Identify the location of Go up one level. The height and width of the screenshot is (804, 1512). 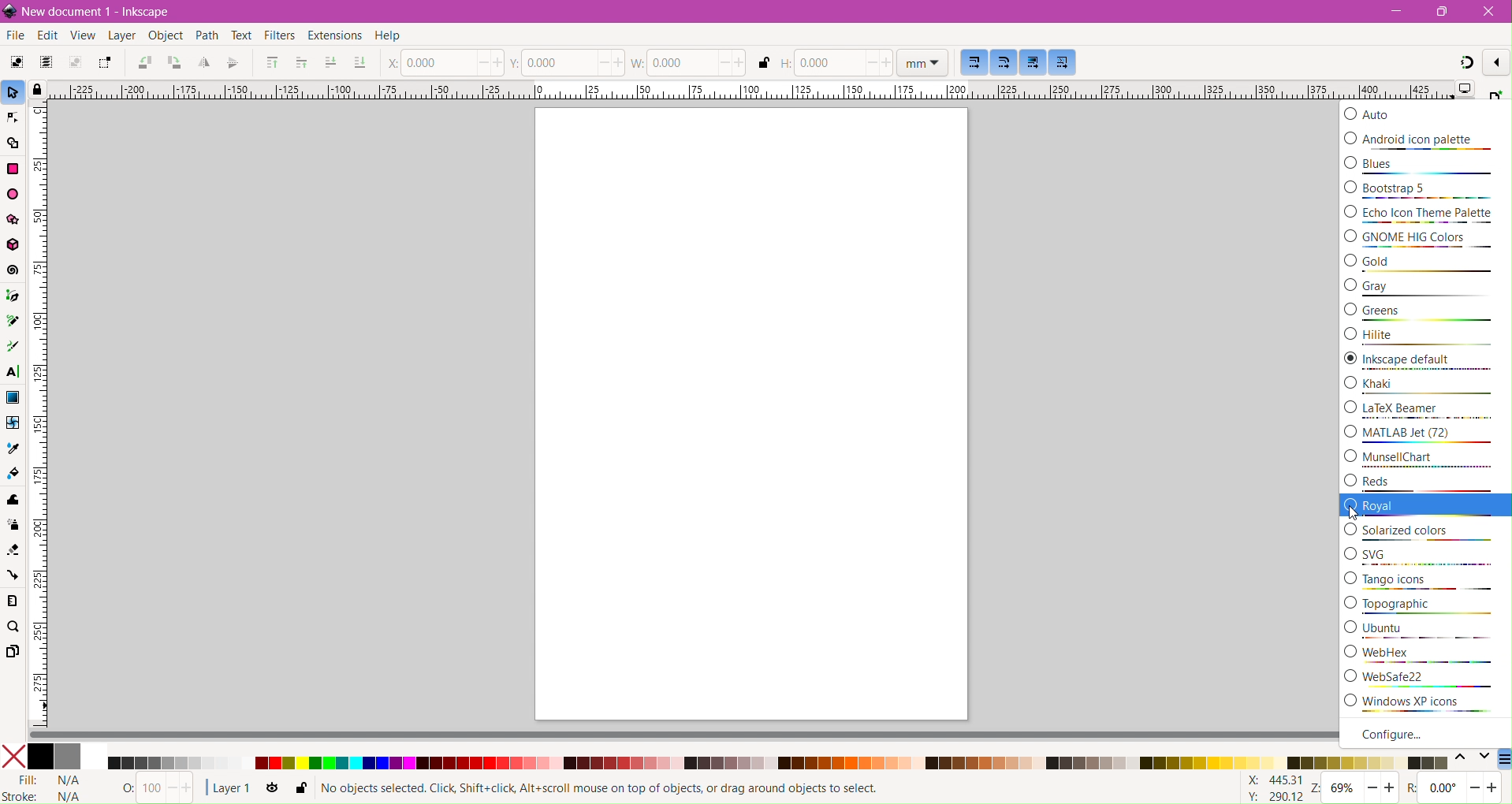
(1460, 760).